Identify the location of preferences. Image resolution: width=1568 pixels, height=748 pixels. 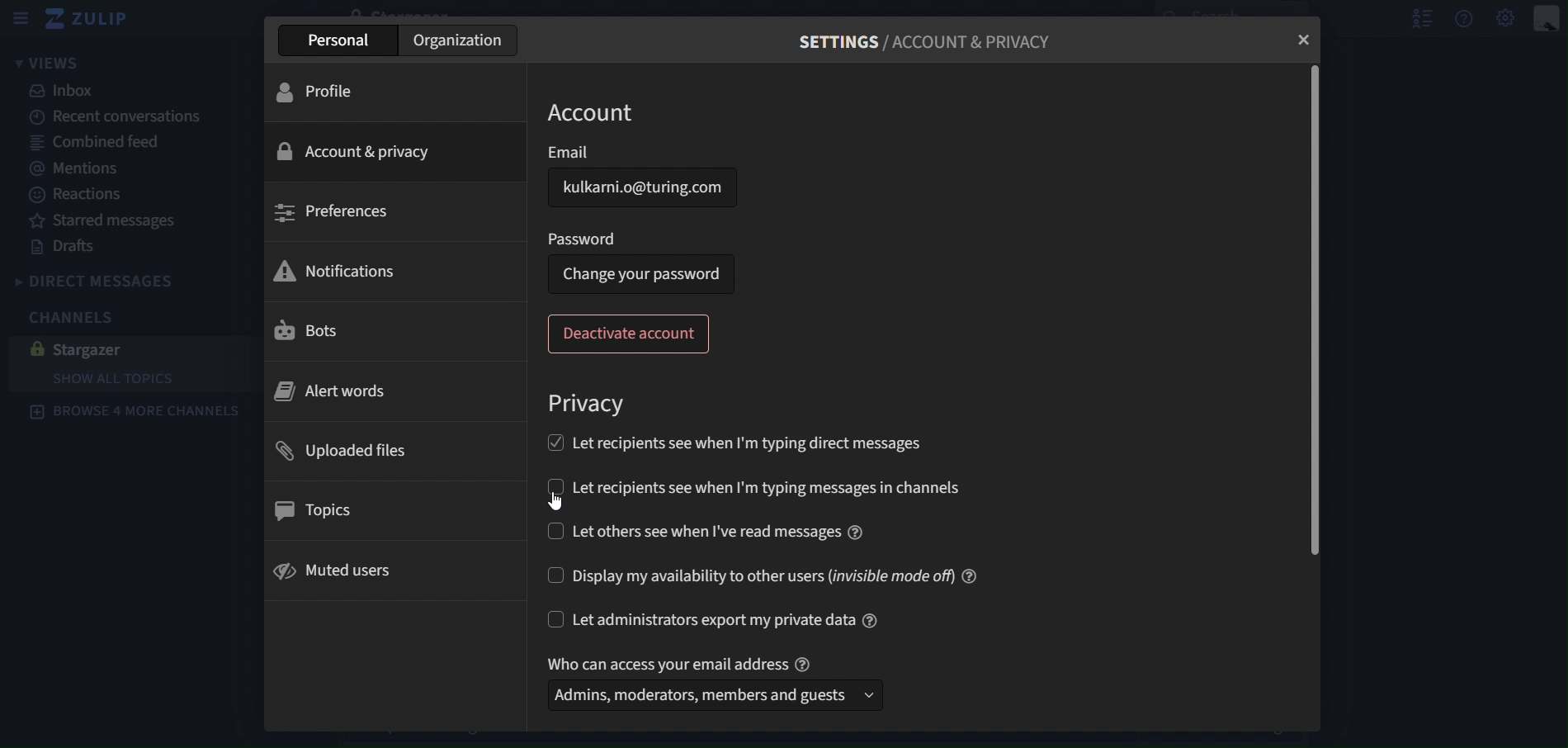
(329, 212).